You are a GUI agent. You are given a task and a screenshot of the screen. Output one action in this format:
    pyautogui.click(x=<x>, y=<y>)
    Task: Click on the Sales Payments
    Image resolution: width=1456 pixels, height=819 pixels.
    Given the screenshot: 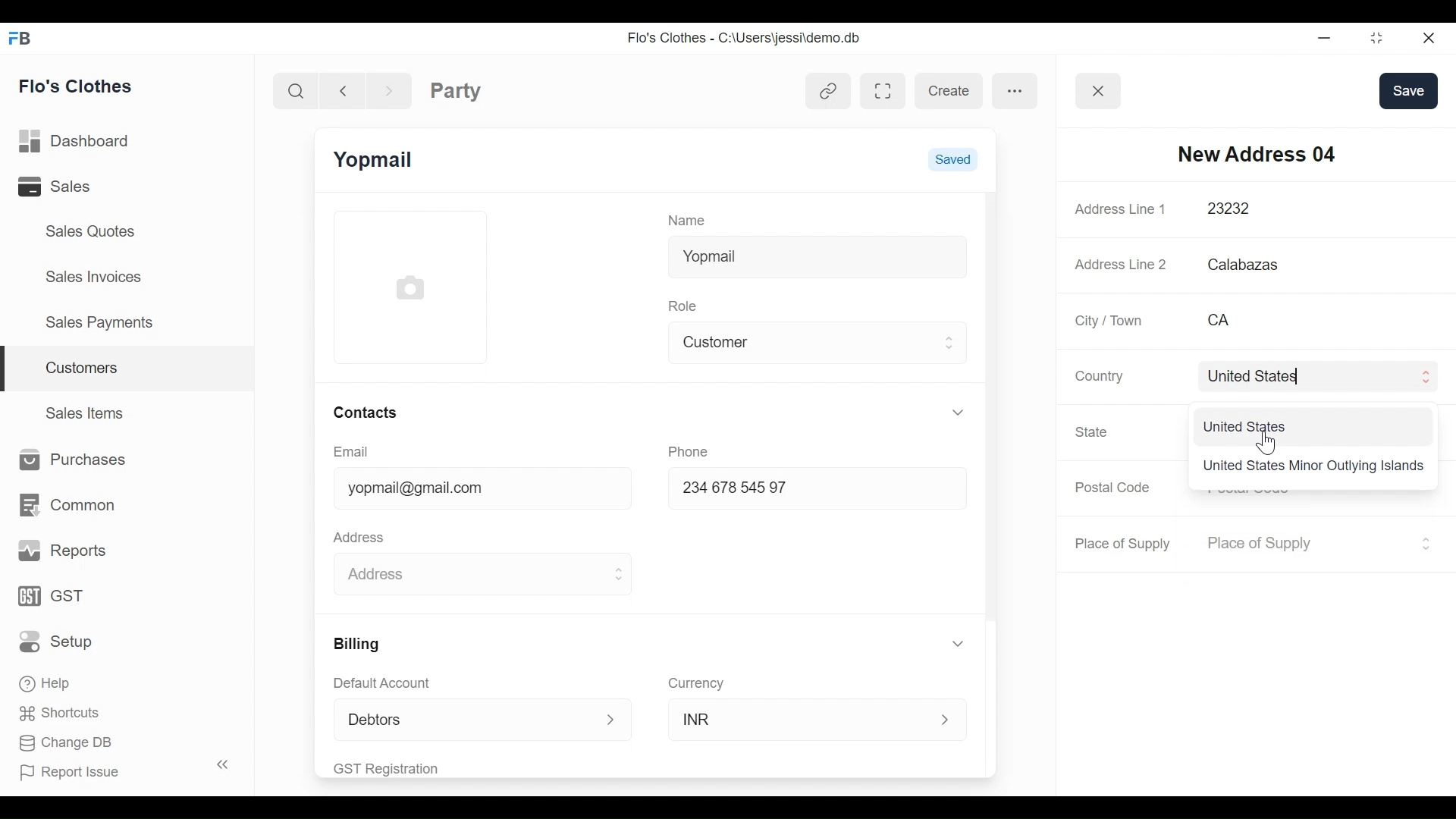 What is the action you would take?
    pyautogui.click(x=98, y=322)
    